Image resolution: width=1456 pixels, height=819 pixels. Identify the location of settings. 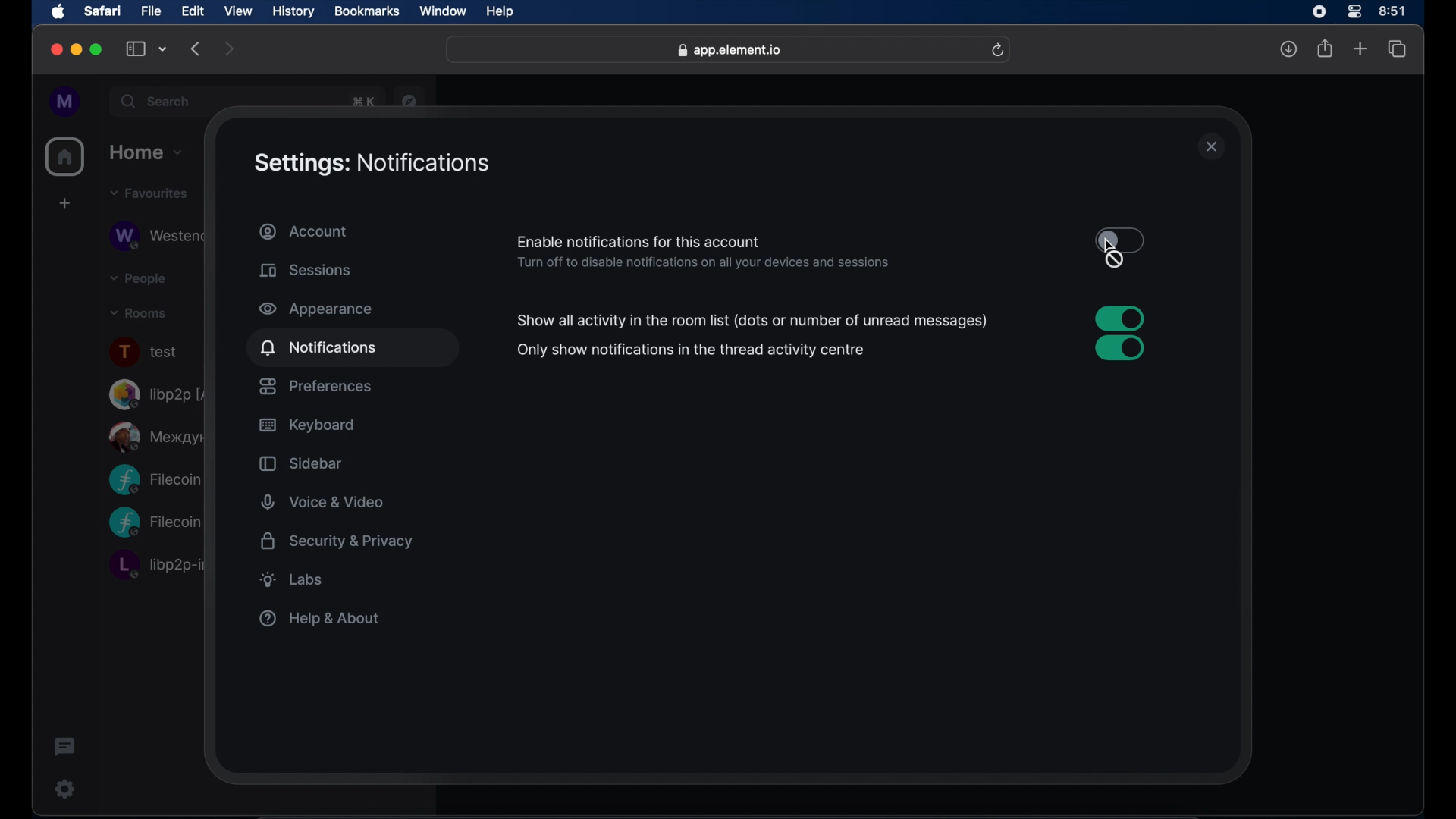
(64, 790).